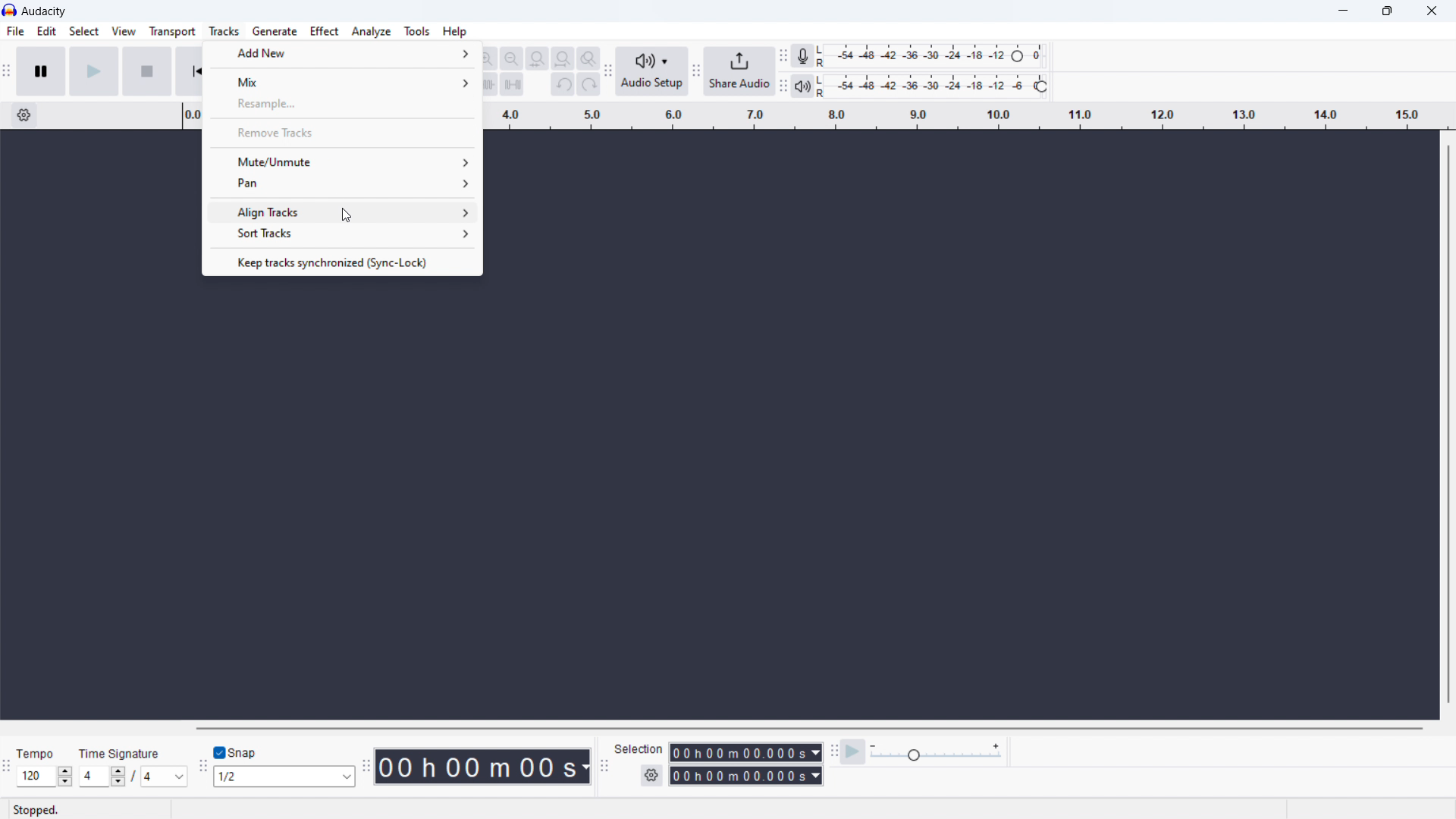 The image size is (1456, 819). I want to click on play, so click(93, 71).